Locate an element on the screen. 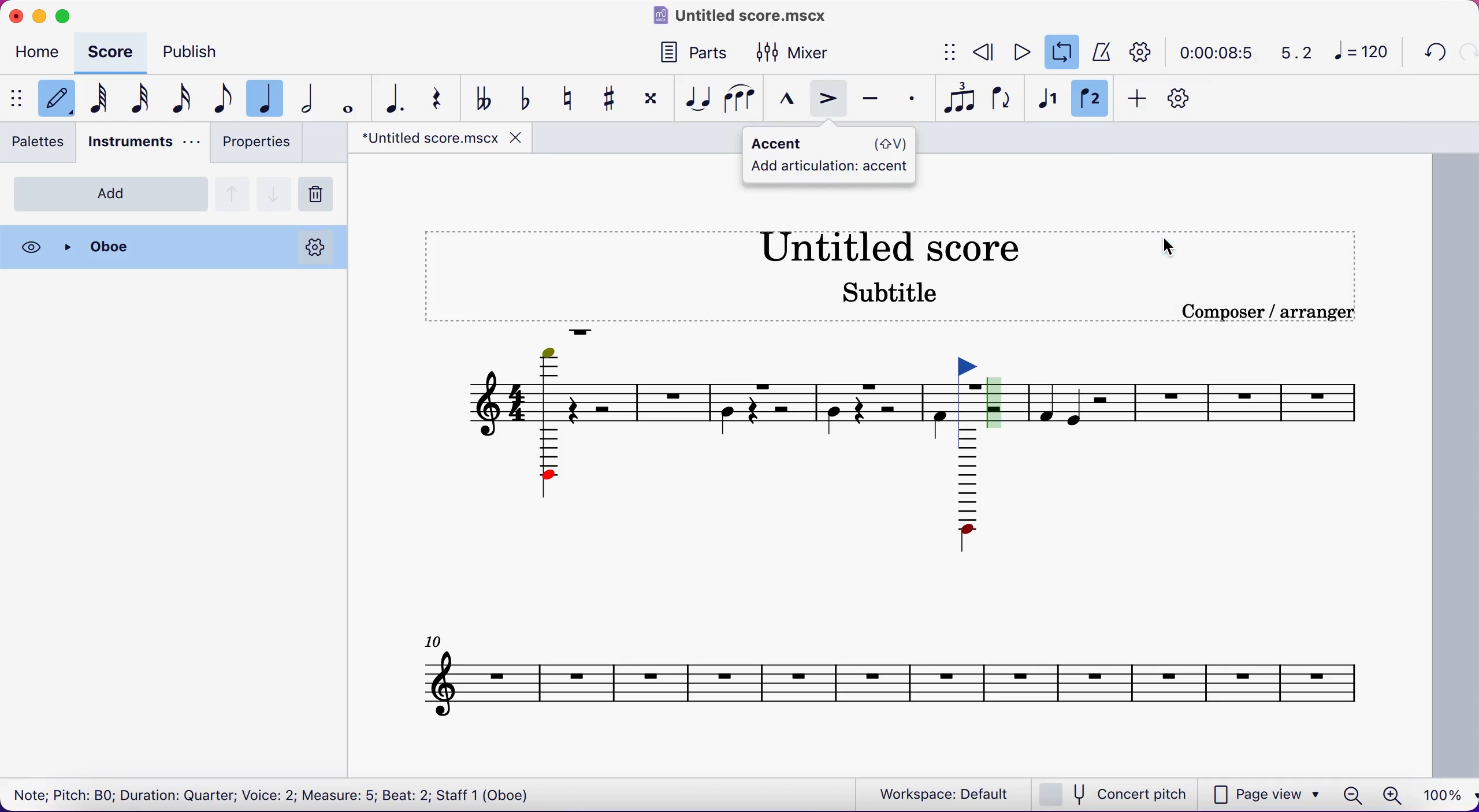 Image resolution: width=1479 pixels, height=812 pixels. publish is located at coordinates (202, 50).